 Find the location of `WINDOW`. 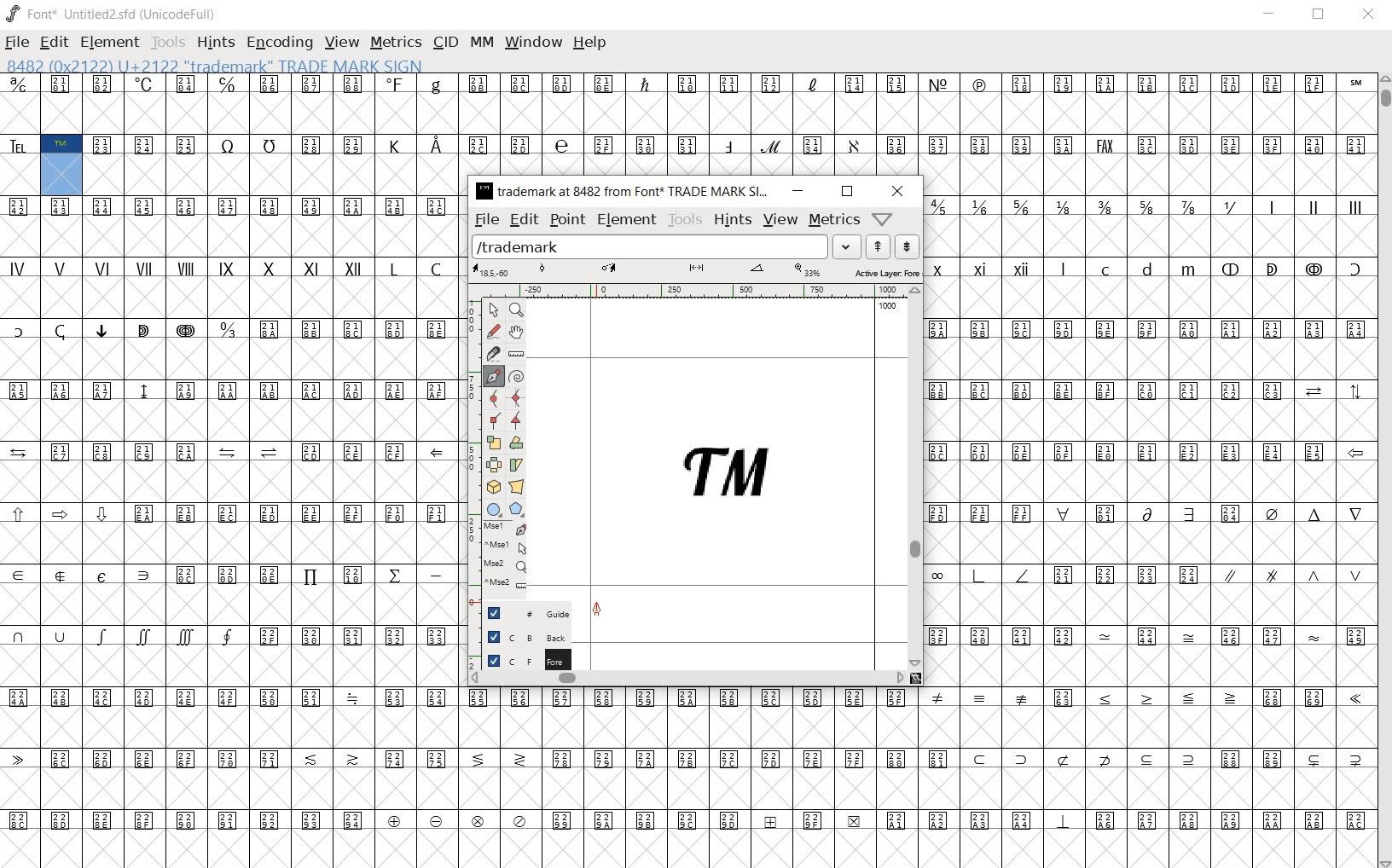

WINDOW is located at coordinates (531, 43).